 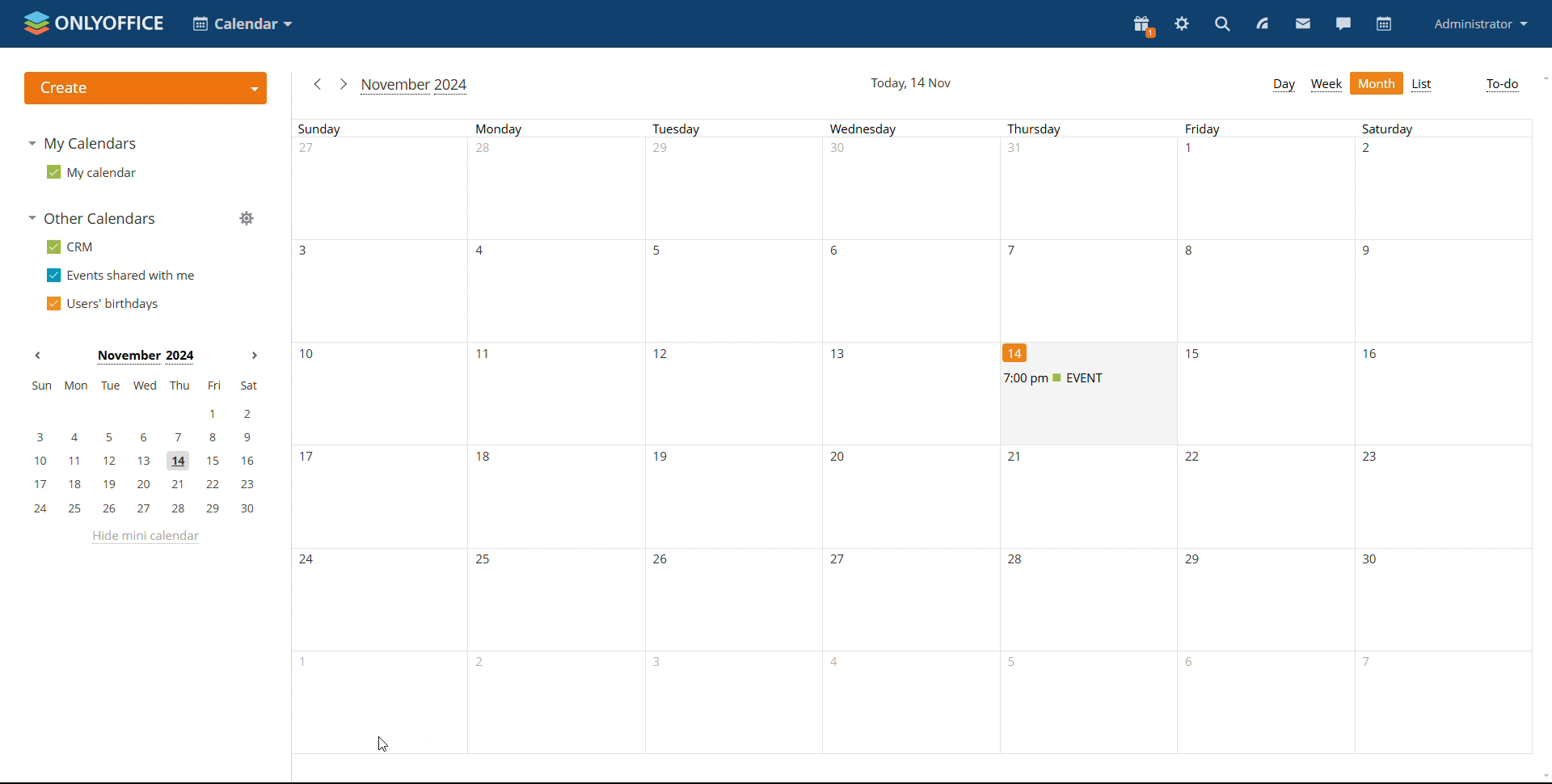 What do you see at coordinates (818, 395) in the screenshot?
I see `days of a month` at bounding box center [818, 395].